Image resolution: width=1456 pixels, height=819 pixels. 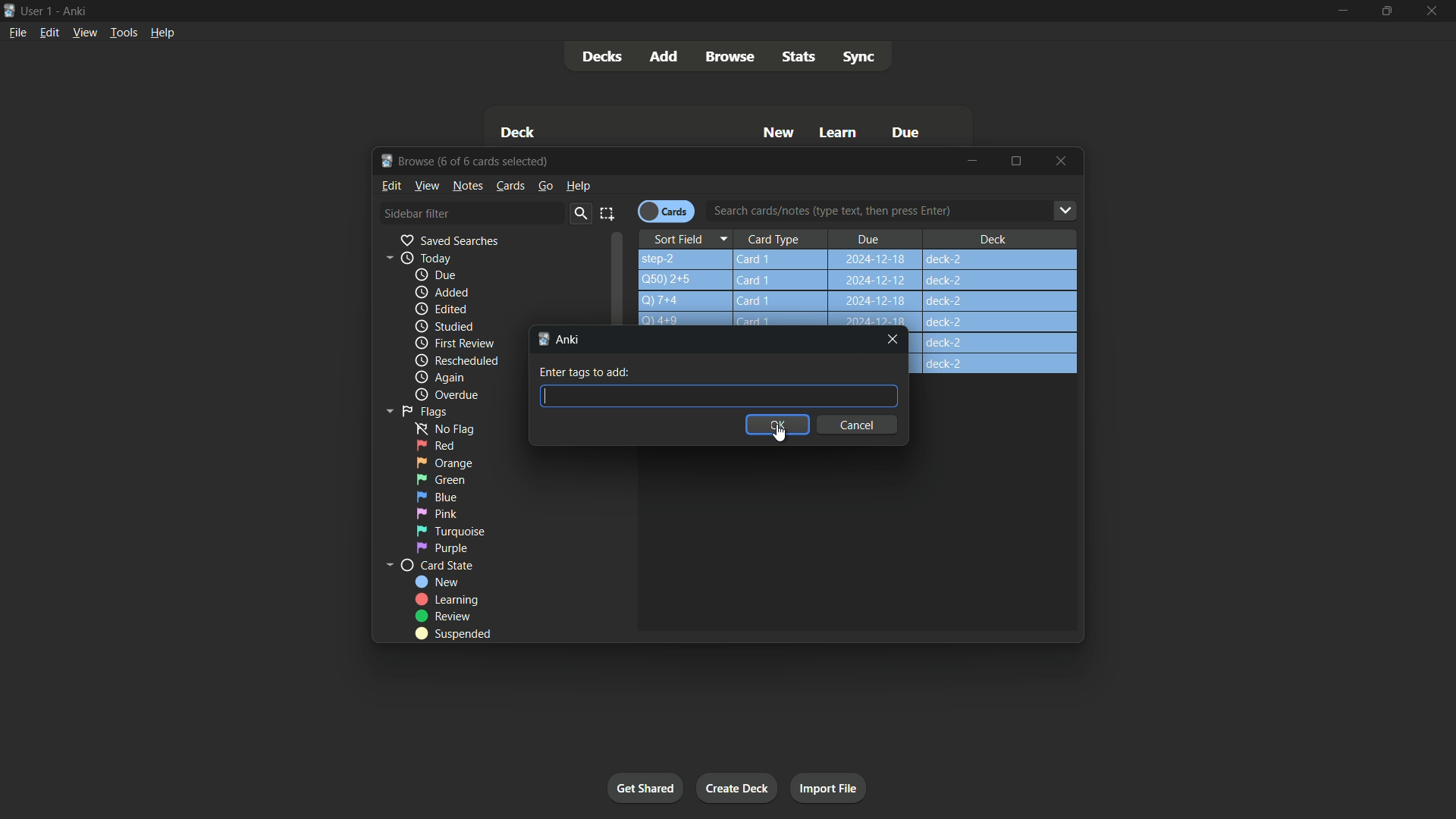 What do you see at coordinates (437, 513) in the screenshot?
I see `pink` at bounding box center [437, 513].